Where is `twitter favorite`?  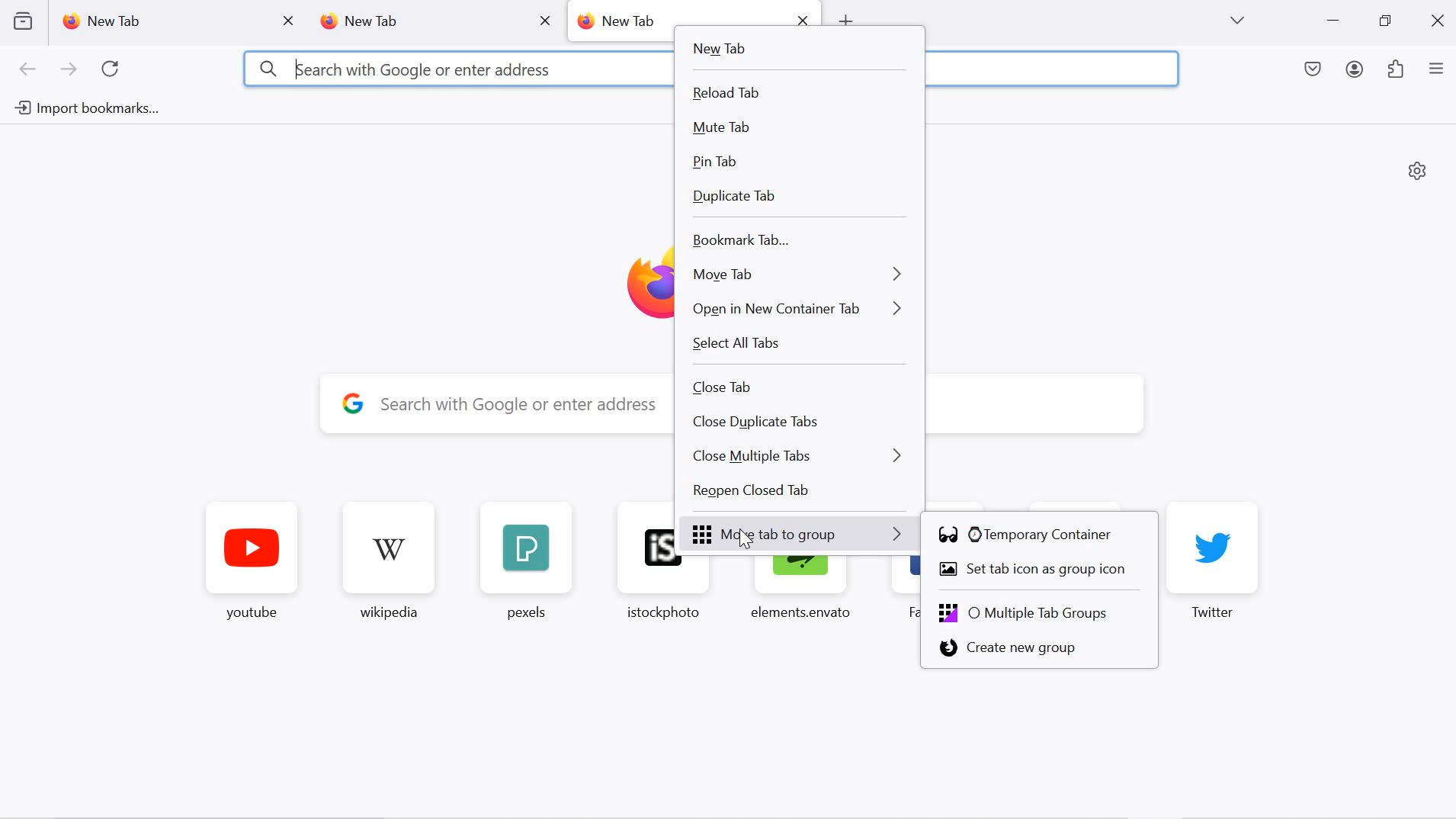 twitter favorite is located at coordinates (1215, 561).